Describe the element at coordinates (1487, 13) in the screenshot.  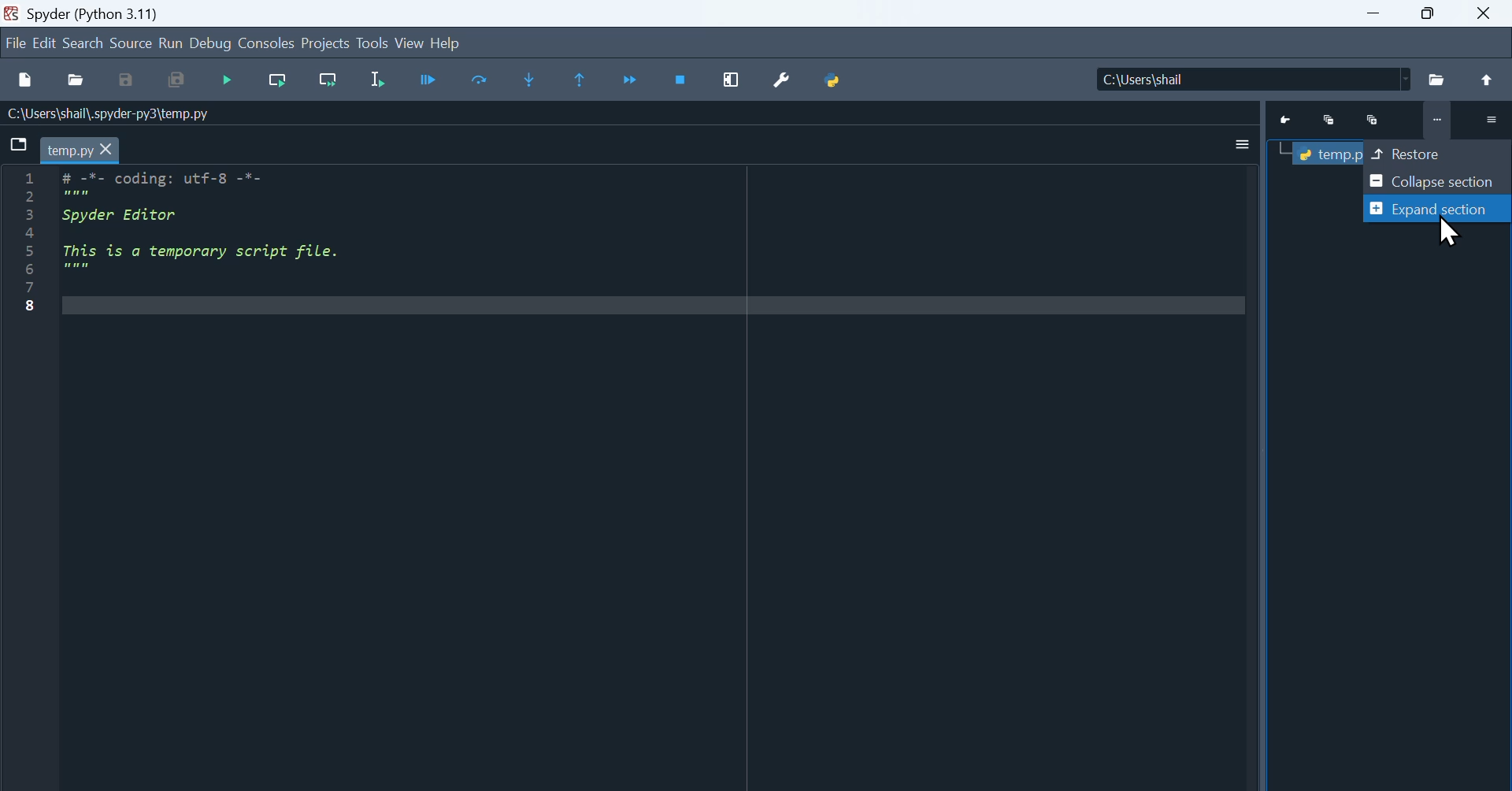
I see `close` at that location.